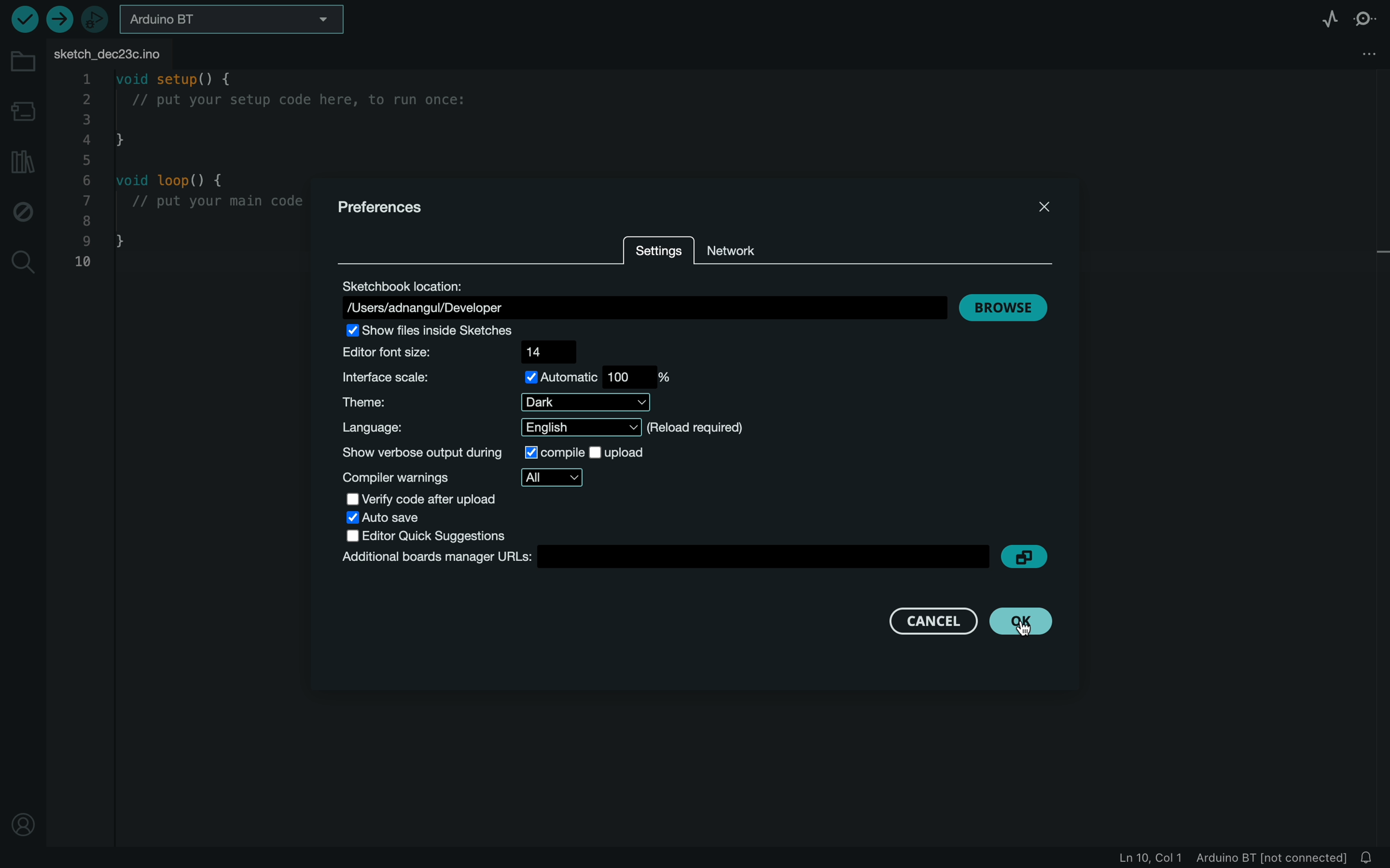  Describe the element at coordinates (462, 351) in the screenshot. I see `size` at that location.